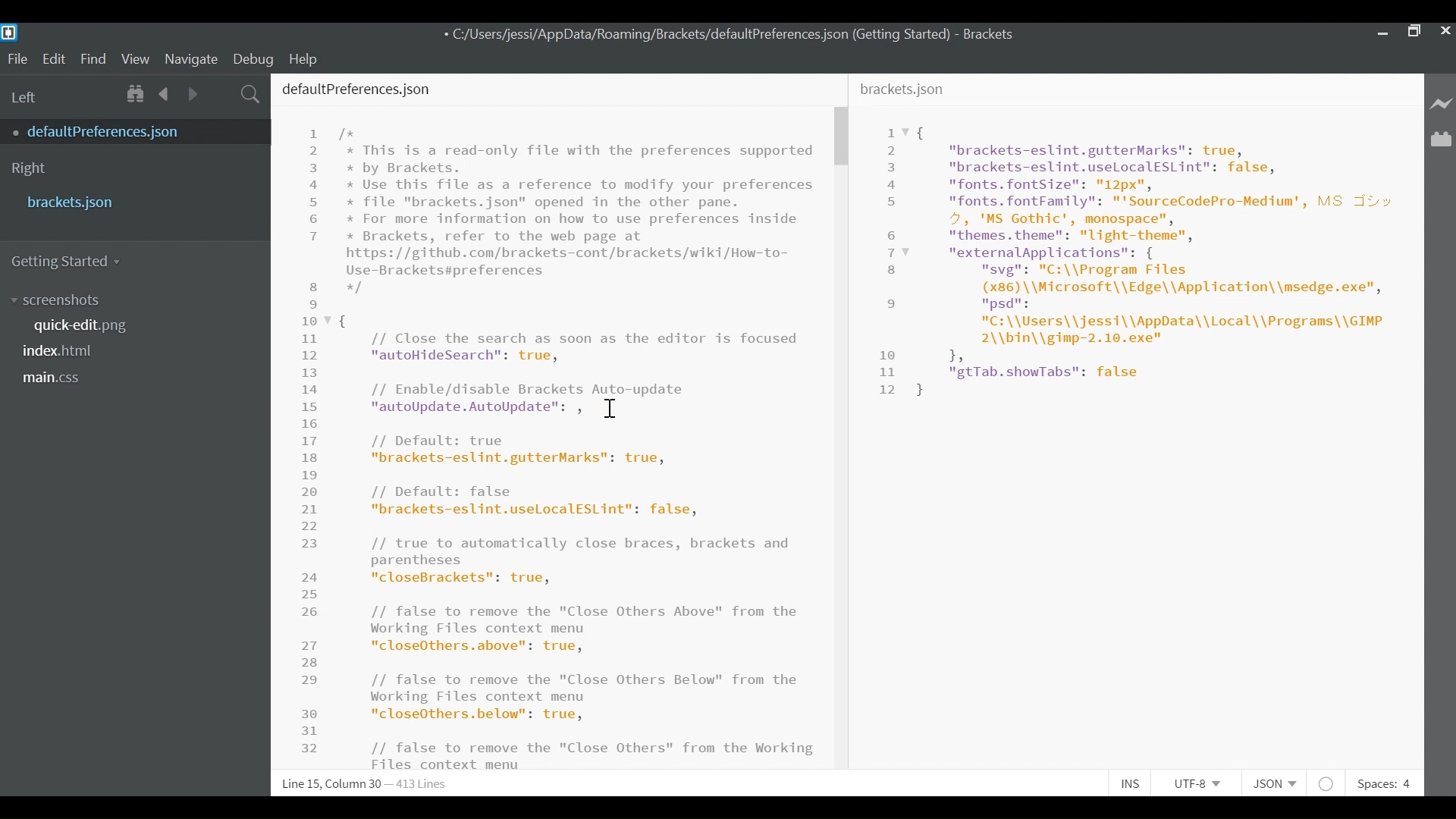 This screenshot has height=819, width=1456. I want to click on defaultPrefereces.json File Editor, so click(549, 421).